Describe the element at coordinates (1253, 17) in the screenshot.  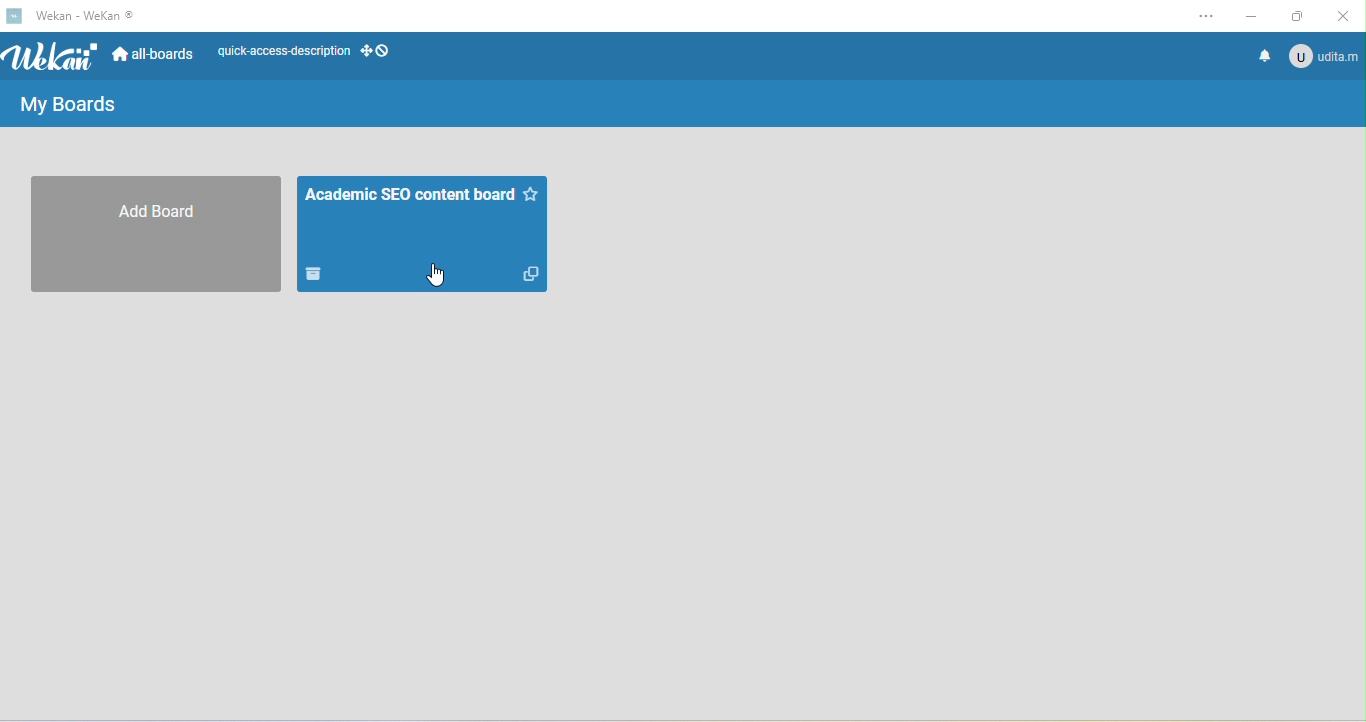
I see `minimize` at that location.